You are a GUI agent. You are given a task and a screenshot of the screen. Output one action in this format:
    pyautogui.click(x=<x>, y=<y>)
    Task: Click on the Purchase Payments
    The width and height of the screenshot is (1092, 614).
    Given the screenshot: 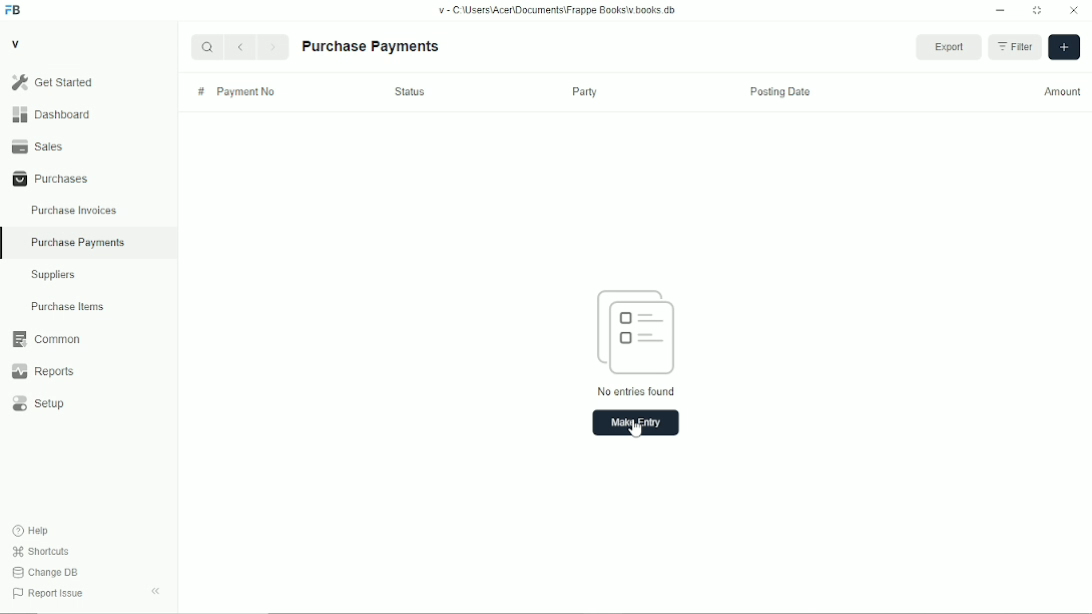 What is the action you would take?
    pyautogui.click(x=372, y=46)
    